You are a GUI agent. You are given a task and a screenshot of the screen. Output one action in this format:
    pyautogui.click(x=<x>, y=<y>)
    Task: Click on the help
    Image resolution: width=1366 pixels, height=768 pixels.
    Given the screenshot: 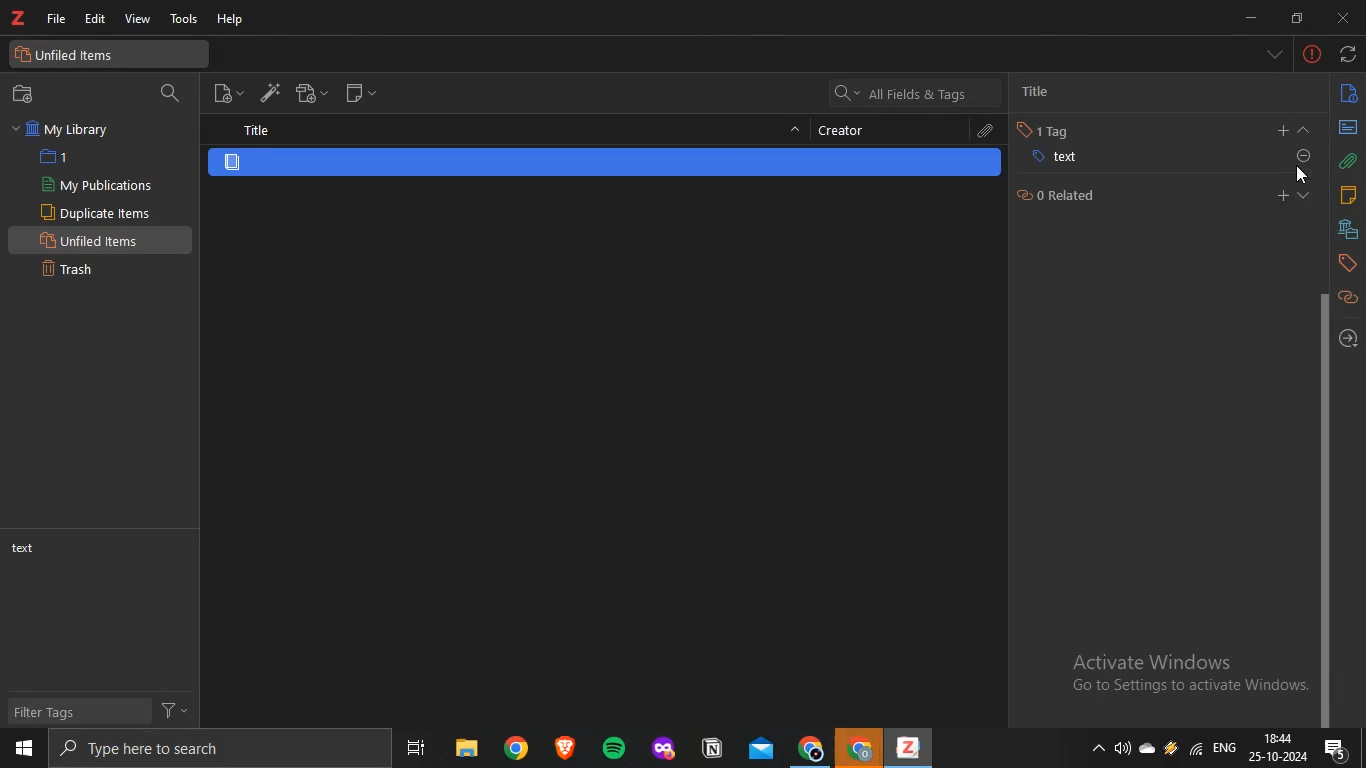 What is the action you would take?
    pyautogui.click(x=228, y=19)
    